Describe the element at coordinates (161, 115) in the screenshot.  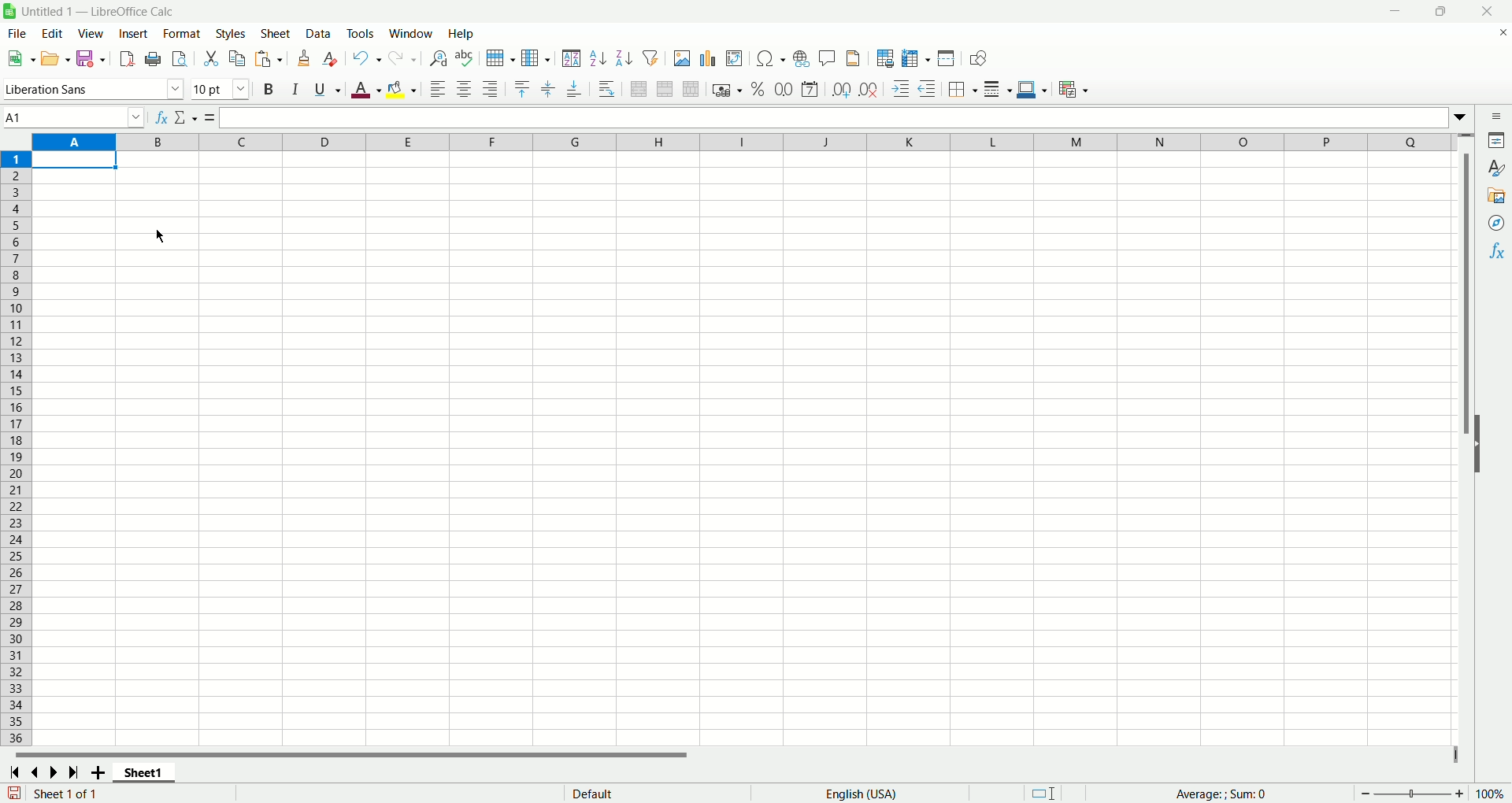
I see `function wizard` at that location.